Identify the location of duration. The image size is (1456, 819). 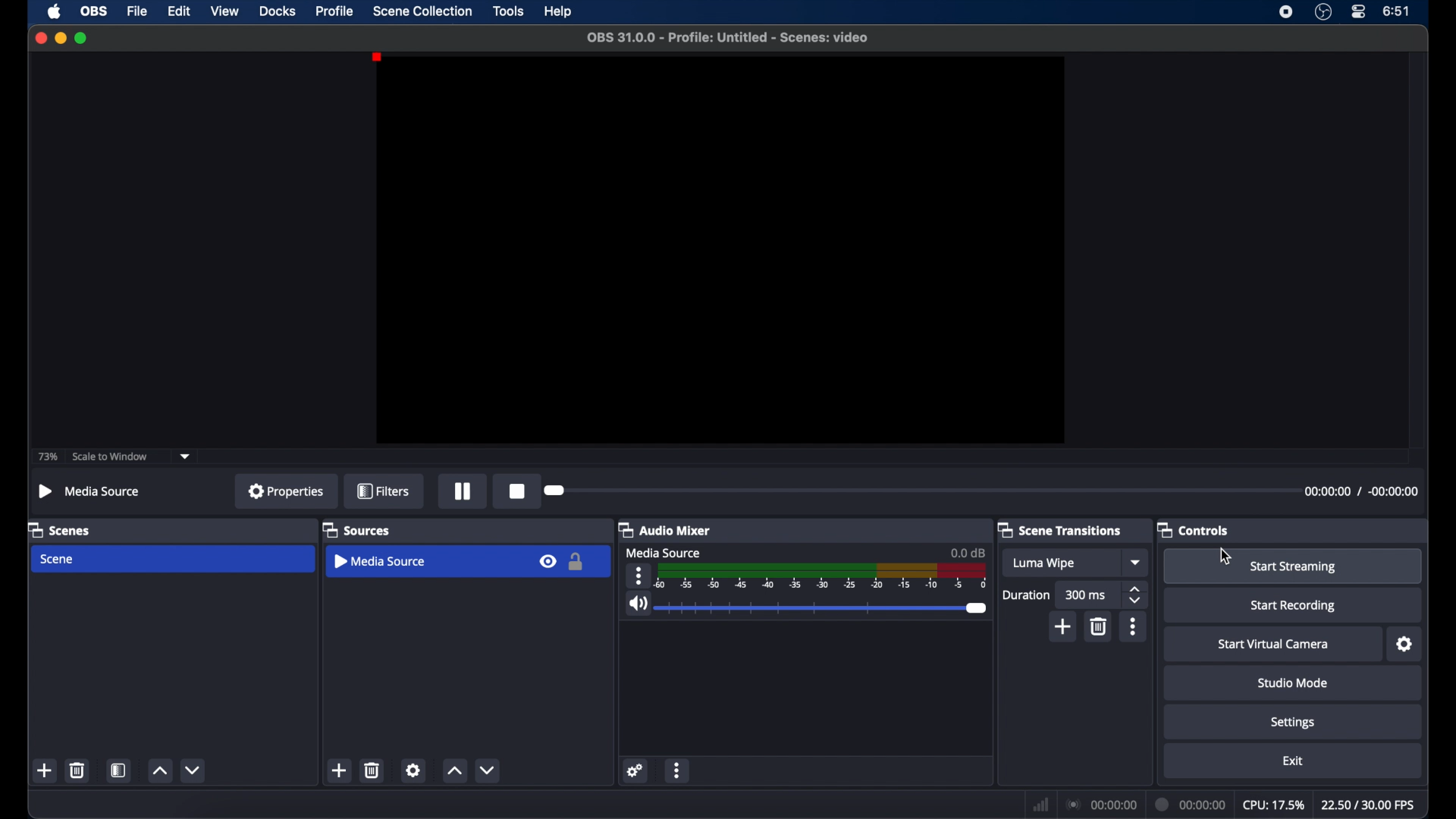
(1027, 596).